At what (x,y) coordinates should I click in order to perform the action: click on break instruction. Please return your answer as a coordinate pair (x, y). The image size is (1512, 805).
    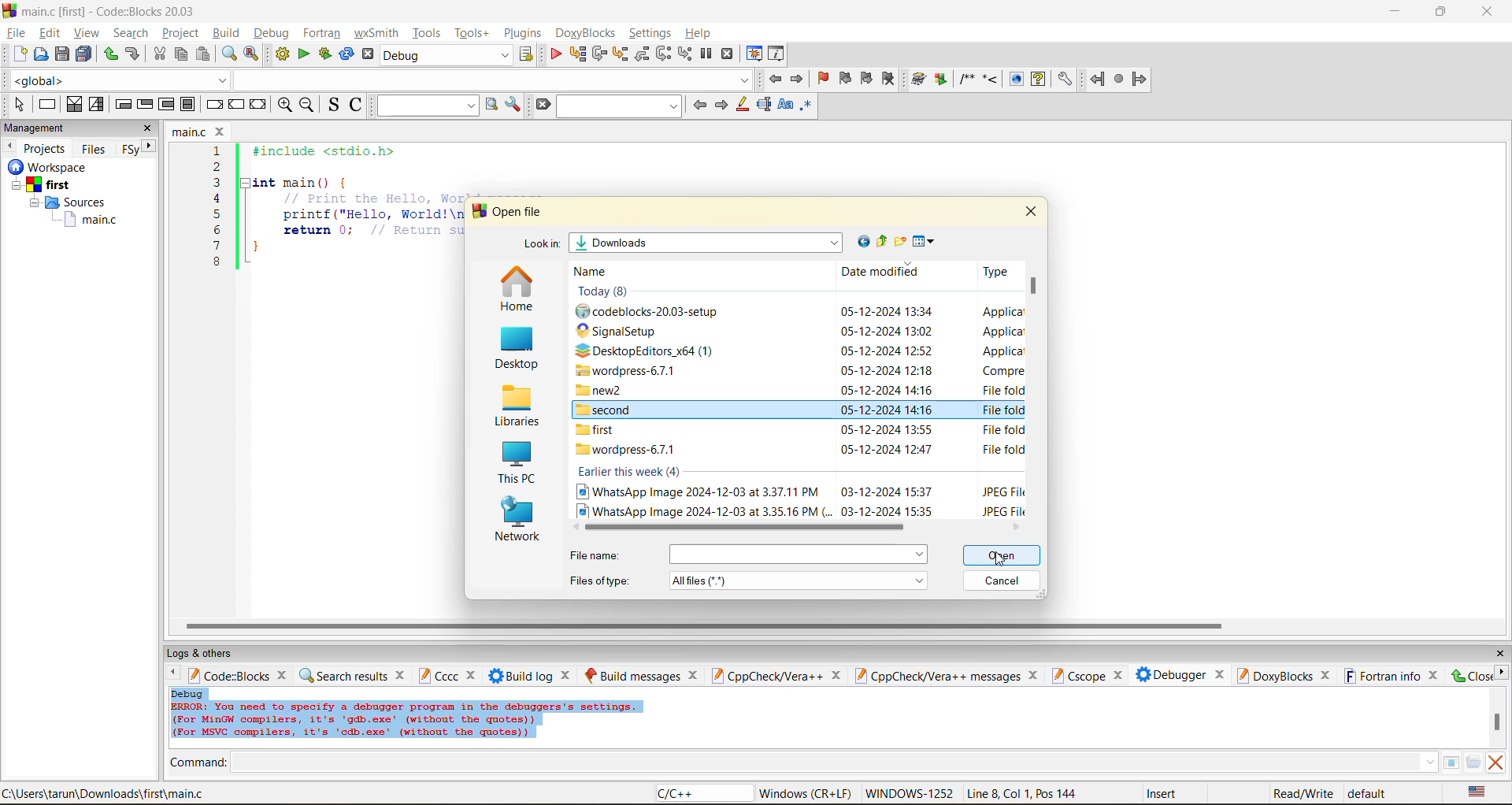
    Looking at the image, I should click on (212, 104).